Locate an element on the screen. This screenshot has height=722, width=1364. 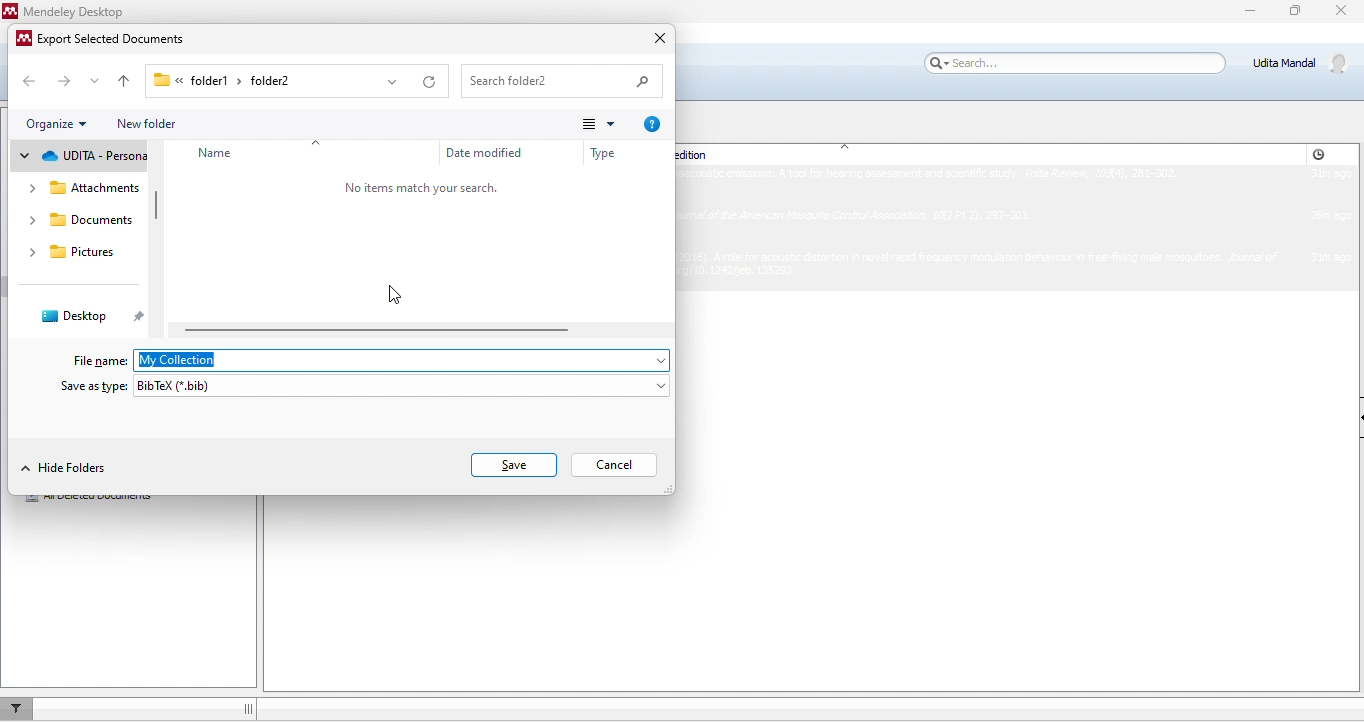
filter is located at coordinates (21, 707).